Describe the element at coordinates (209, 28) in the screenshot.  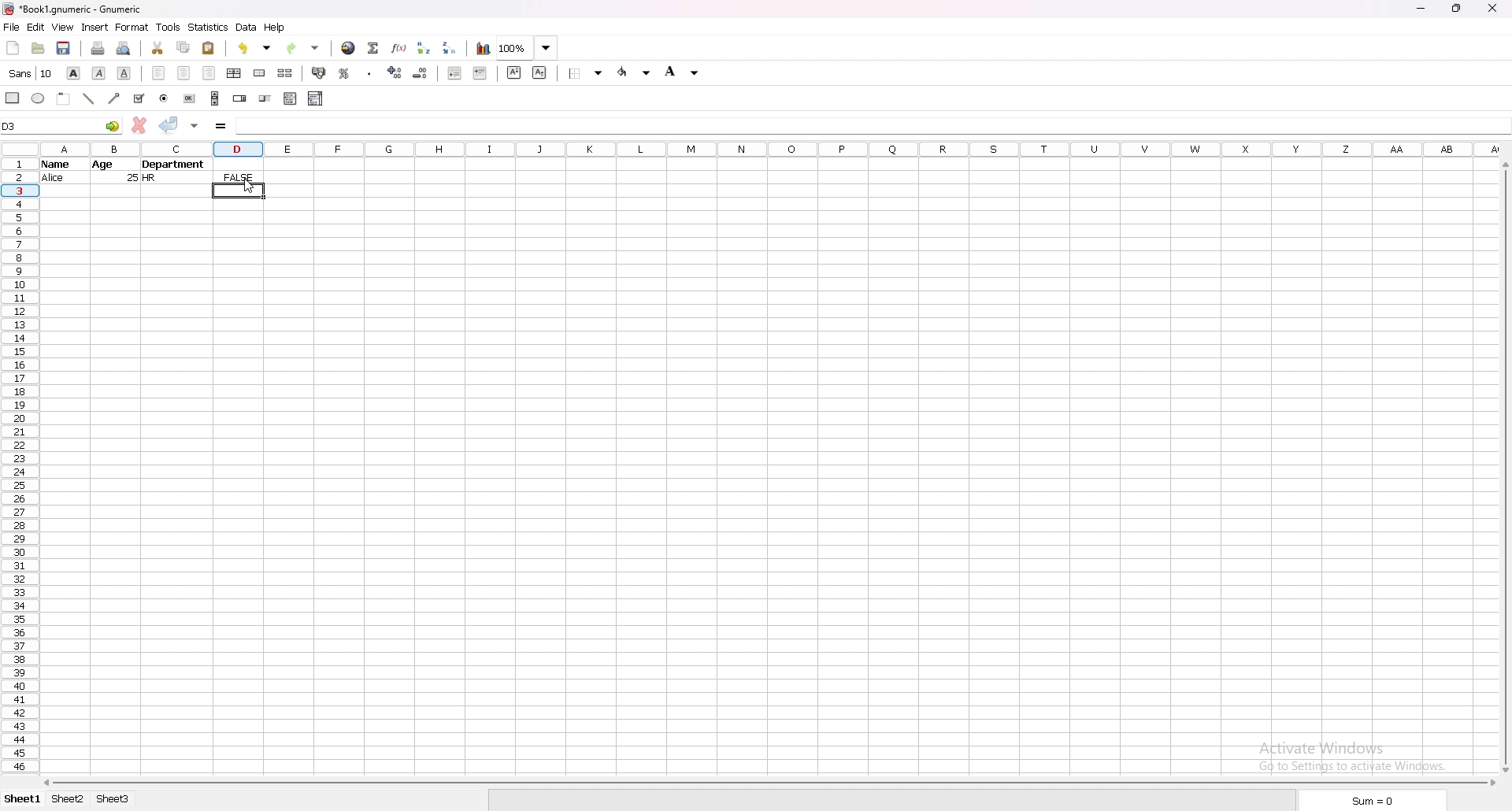
I see `statistics` at that location.